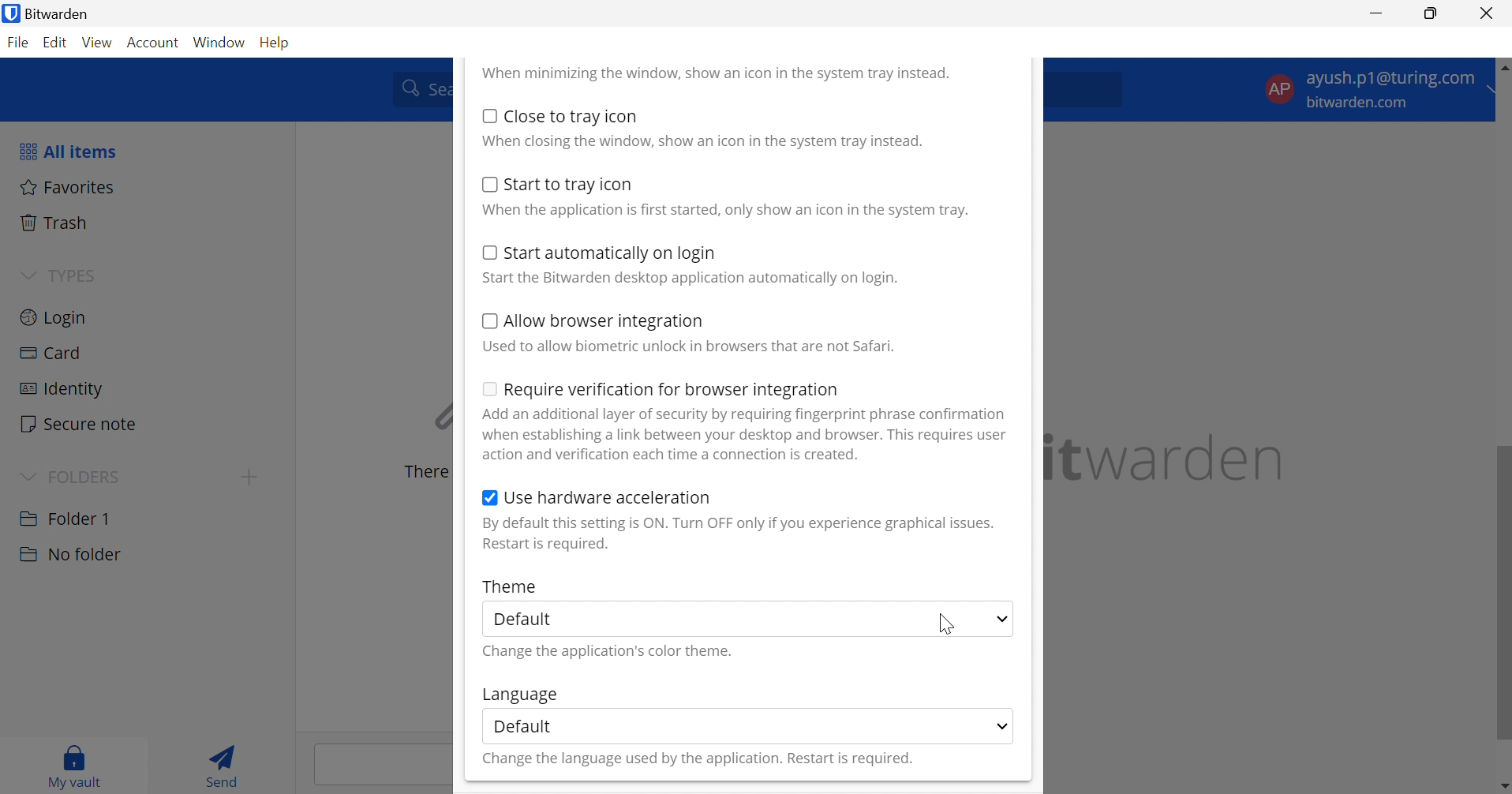 The image size is (1512, 794). What do you see at coordinates (89, 475) in the screenshot?
I see `FOLDERS` at bounding box center [89, 475].